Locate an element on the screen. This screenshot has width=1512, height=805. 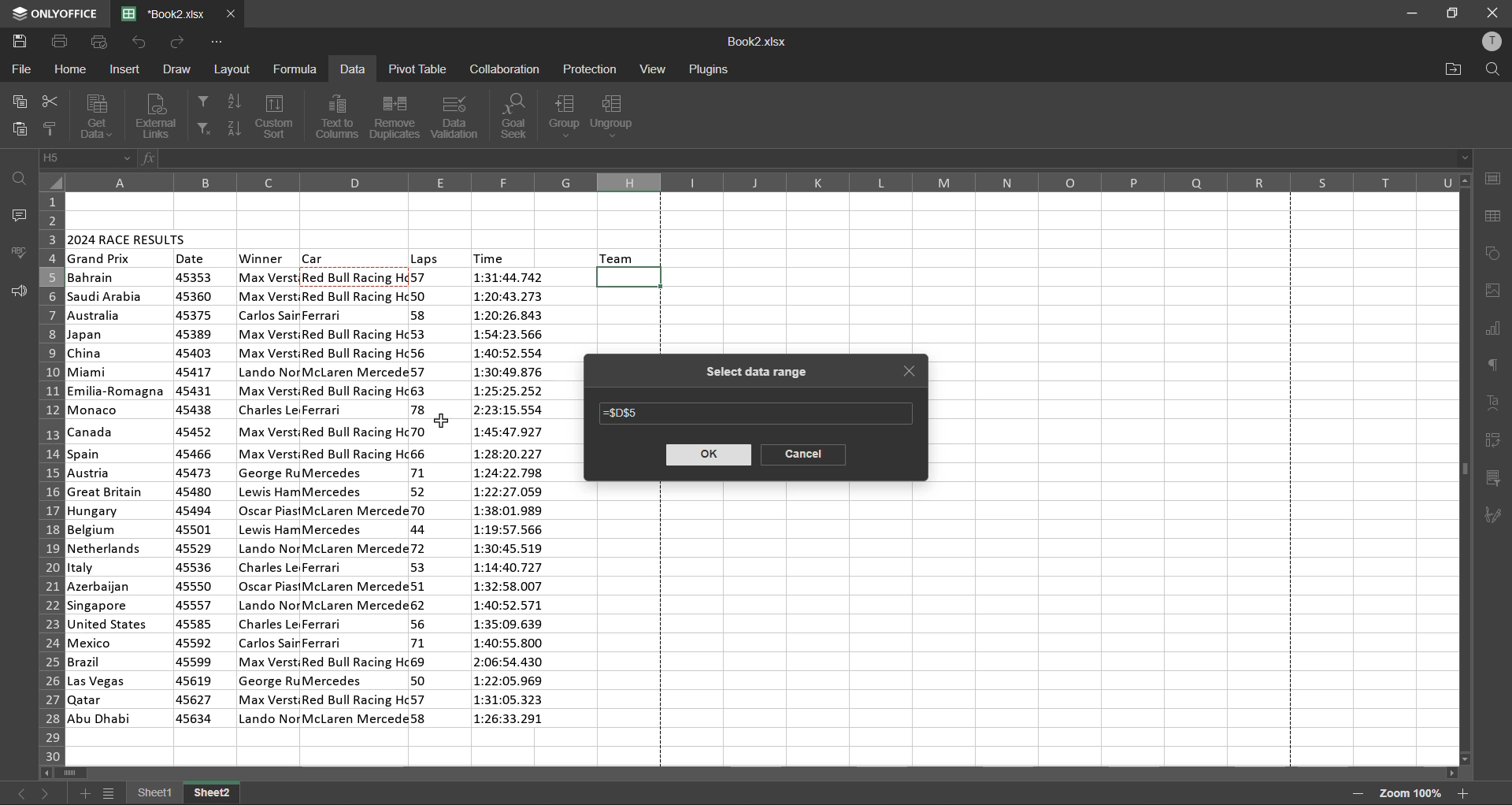
signature is located at coordinates (1496, 516).